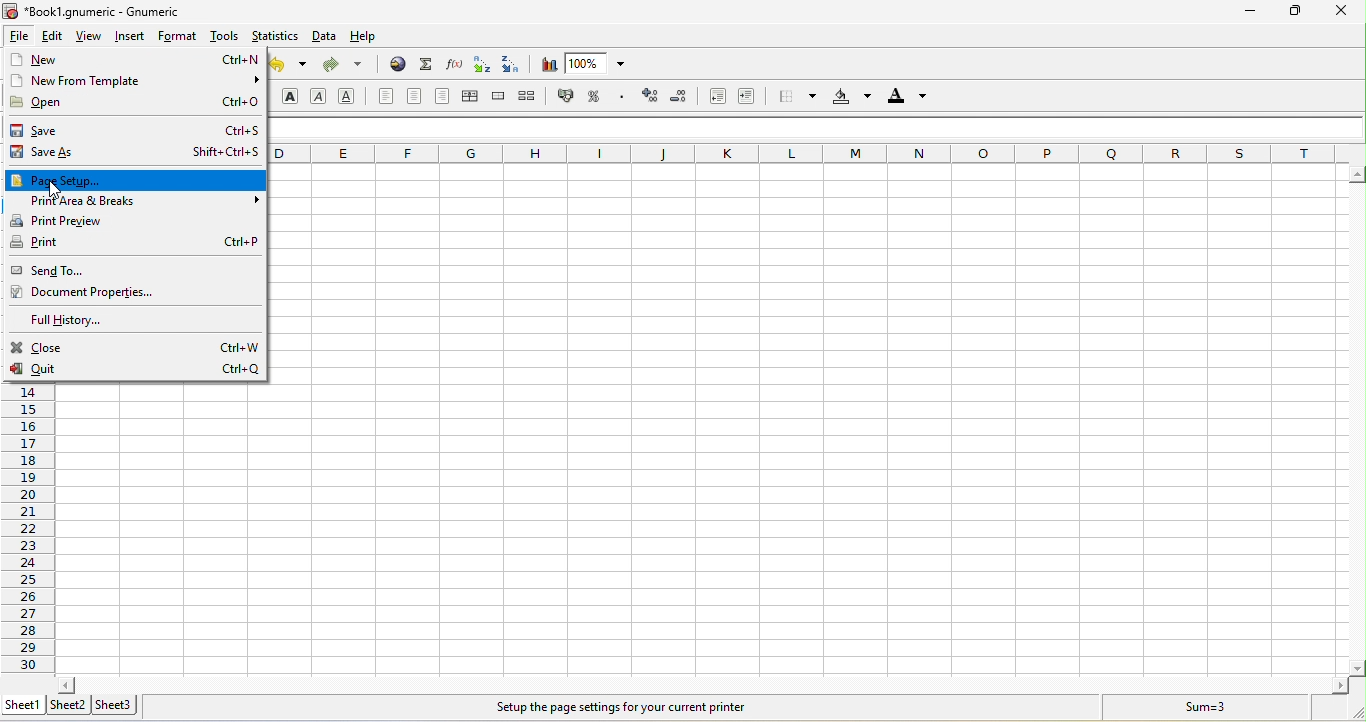 Image resolution: width=1366 pixels, height=722 pixels. What do you see at coordinates (444, 96) in the screenshot?
I see `align right` at bounding box center [444, 96].